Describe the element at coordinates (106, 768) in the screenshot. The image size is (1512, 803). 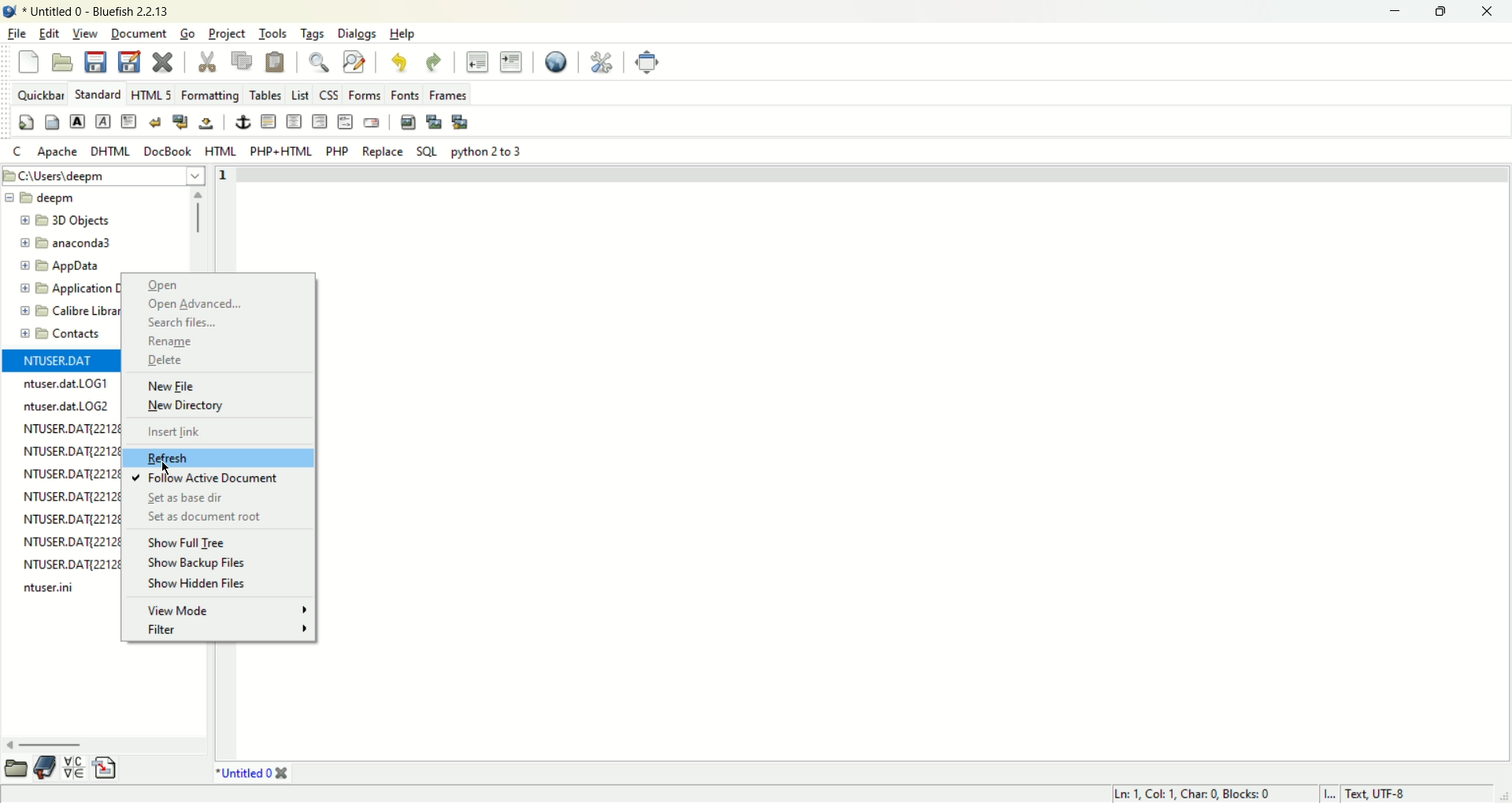
I see `snippets` at that location.